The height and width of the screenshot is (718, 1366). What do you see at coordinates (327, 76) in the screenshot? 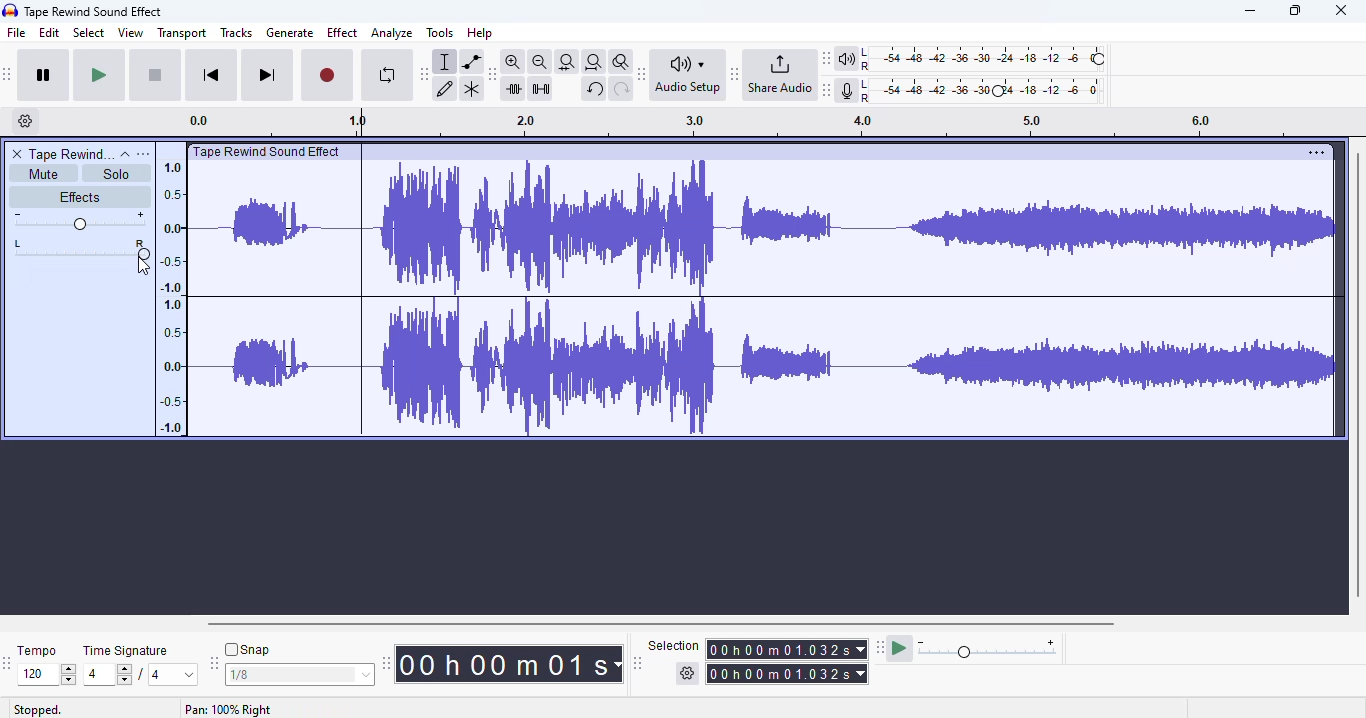
I see `record` at bounding box center [327, 76].